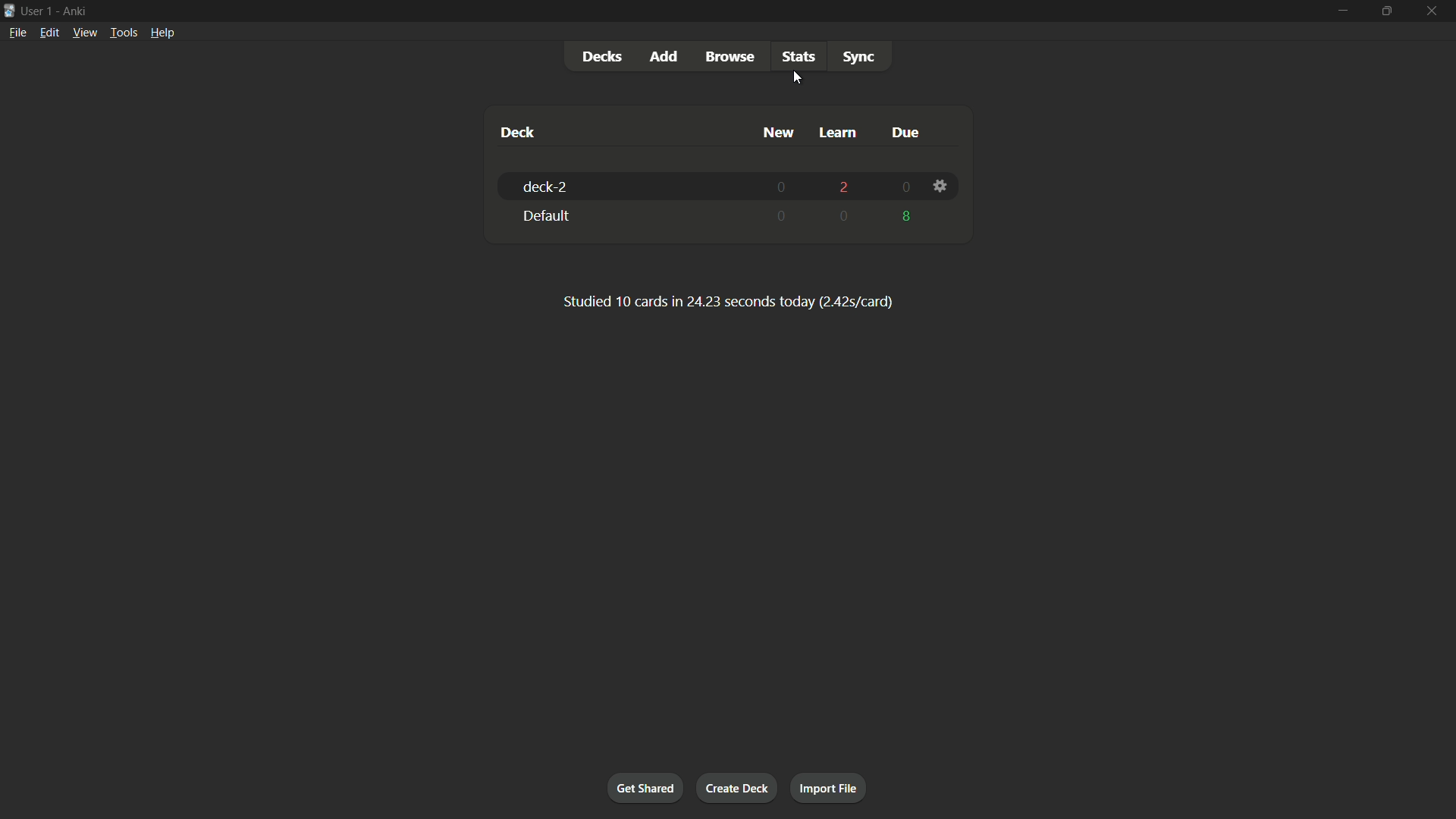  Describe the element at coordinates (741, 781) in the screenshot. I see `Create deck` at that location.